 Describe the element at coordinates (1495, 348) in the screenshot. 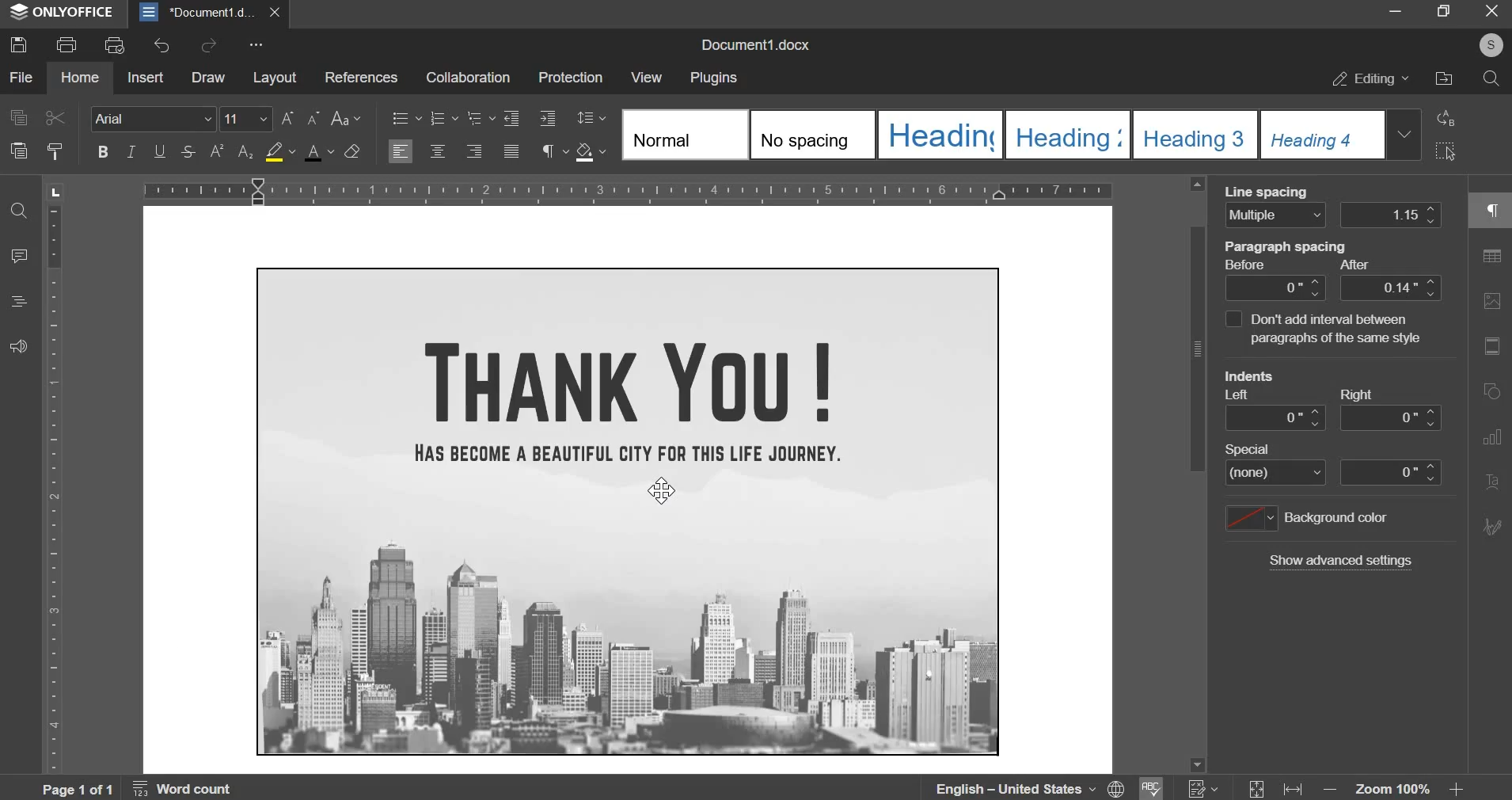

I see `Headers & Footers` at that location.